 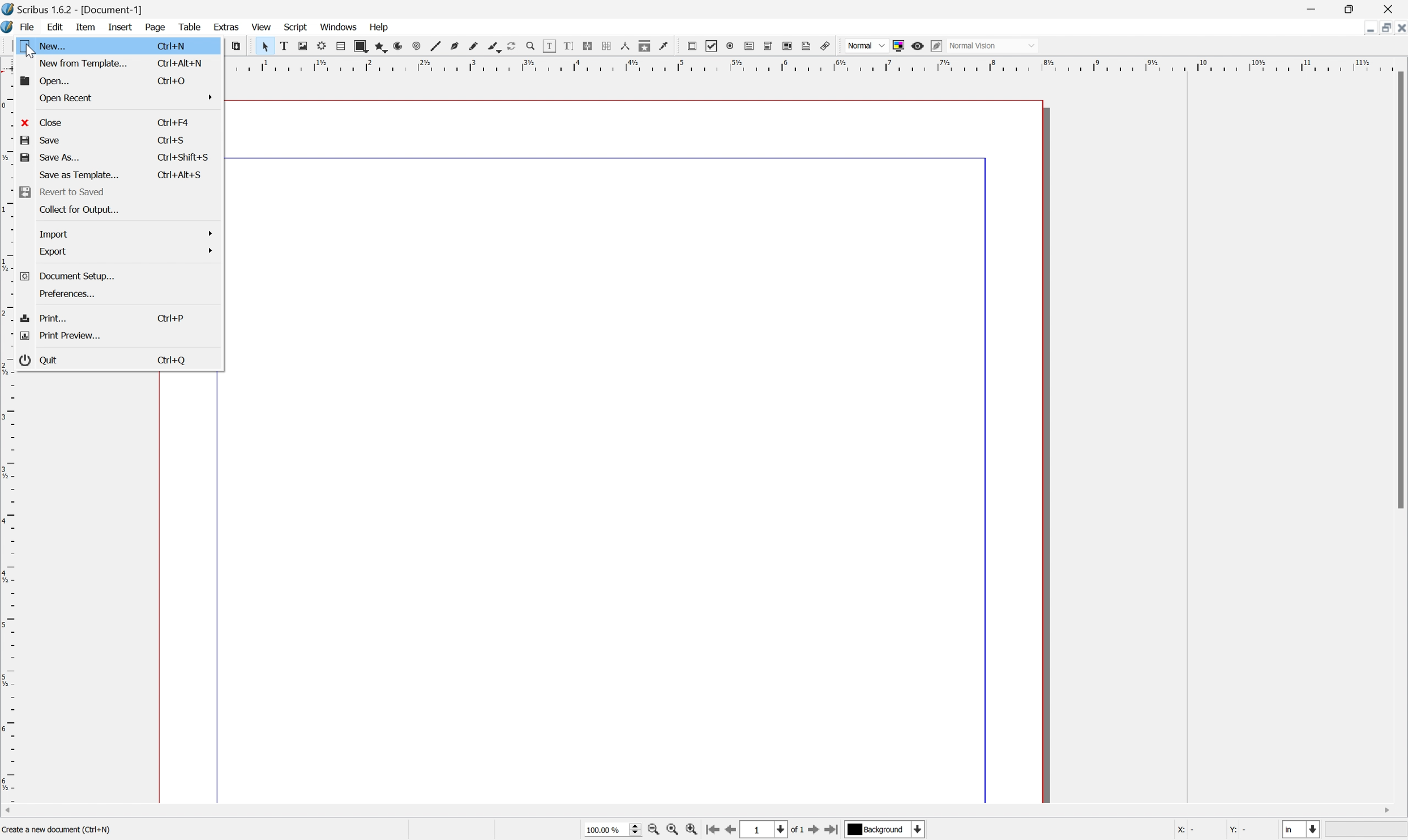 What do you see at coordinates (296, 28) in the screenshot?
I see `Script` at bounding box center [296, 28].